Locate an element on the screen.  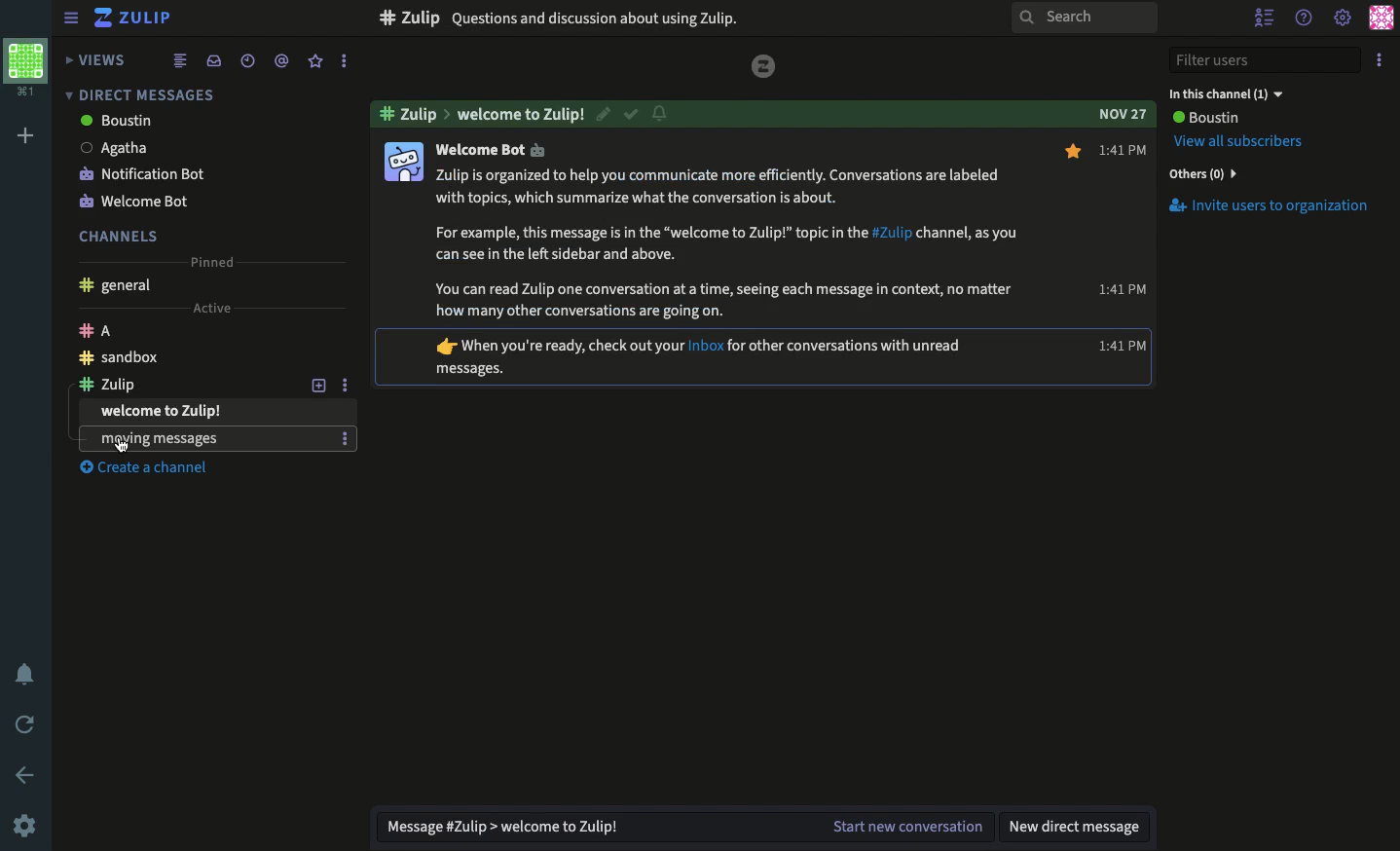
Back is located at coordinates (27, 775).